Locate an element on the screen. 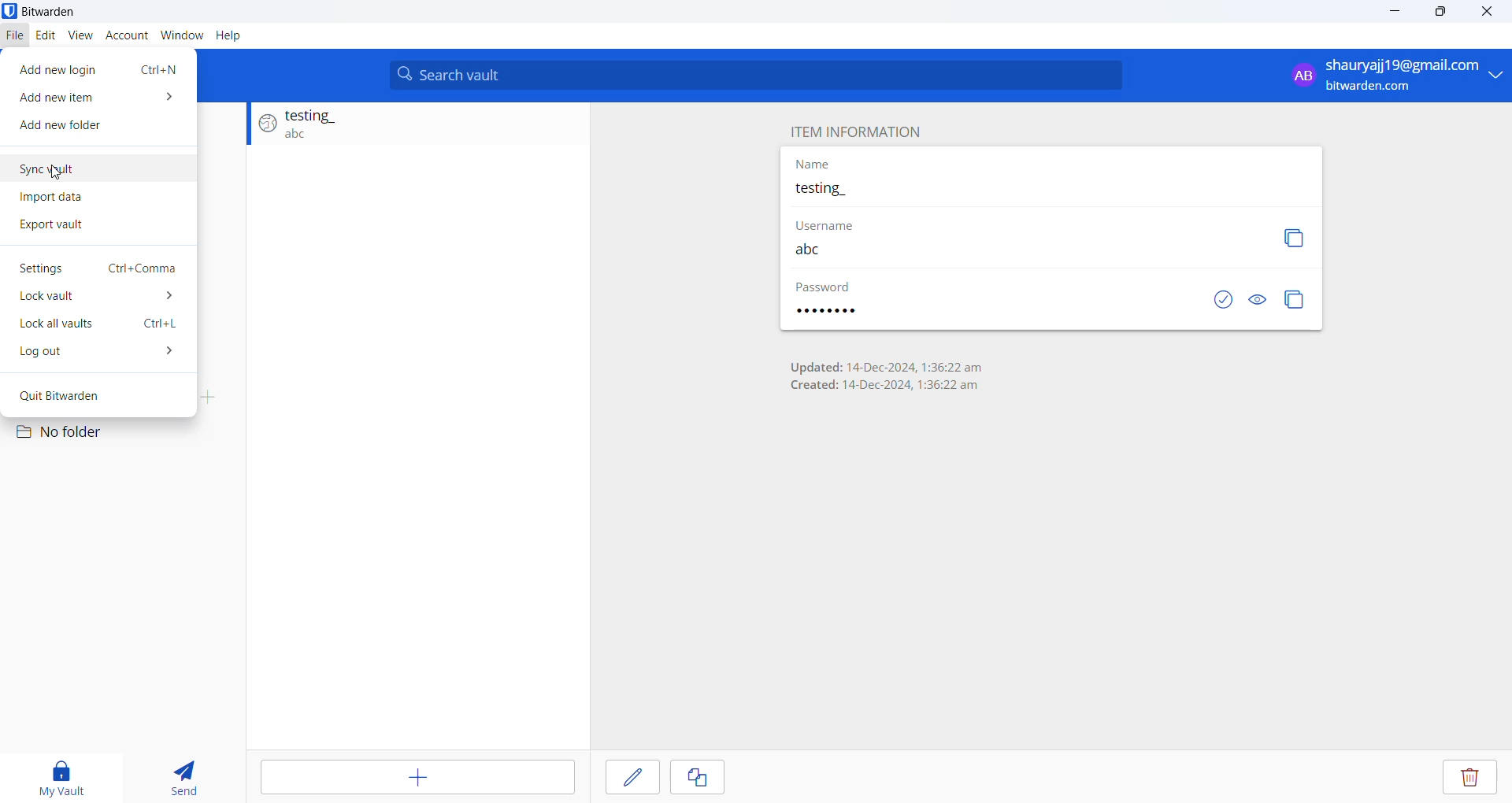  Help is located at coordinates (229, 35).